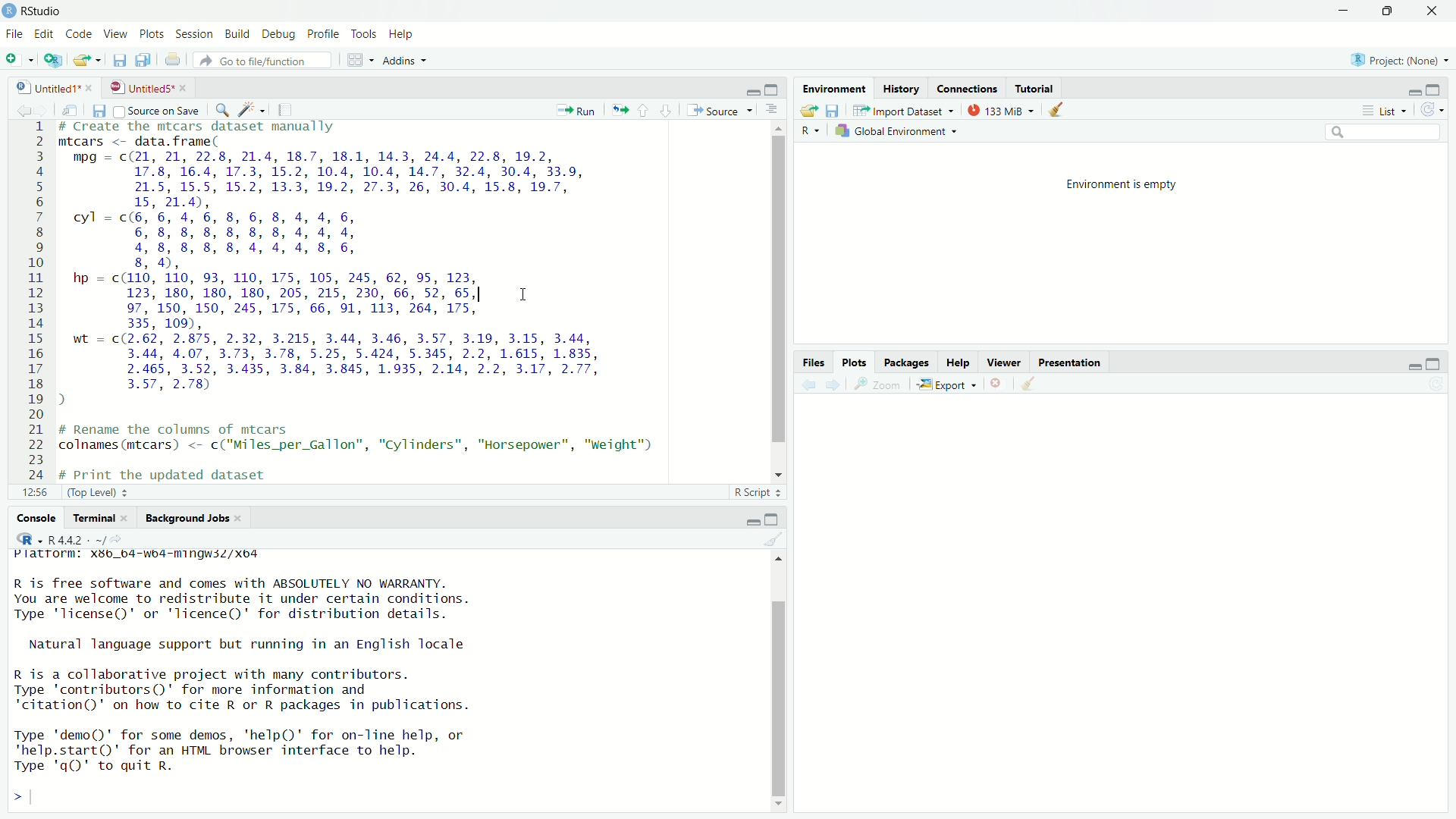 Image resolution: width=1456 pixels, height=819 pixels. Describe the element at coordinates (262, 61) in the screenshot. I see `b Go to file/function` at that location.